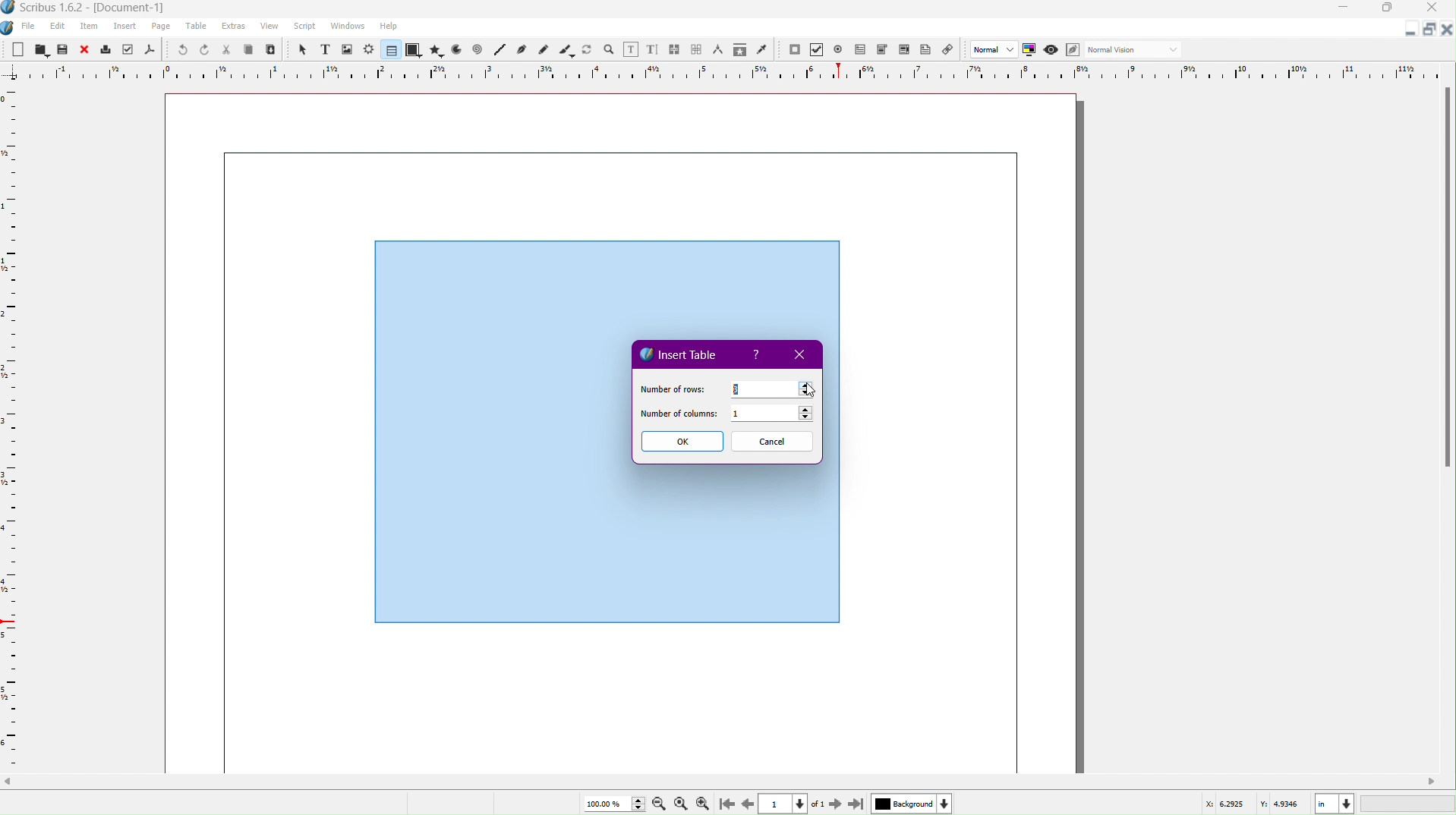 This screenshot has width=1456, height=815. I want to click on Edit in Preview Mode, so click(1075, 50).